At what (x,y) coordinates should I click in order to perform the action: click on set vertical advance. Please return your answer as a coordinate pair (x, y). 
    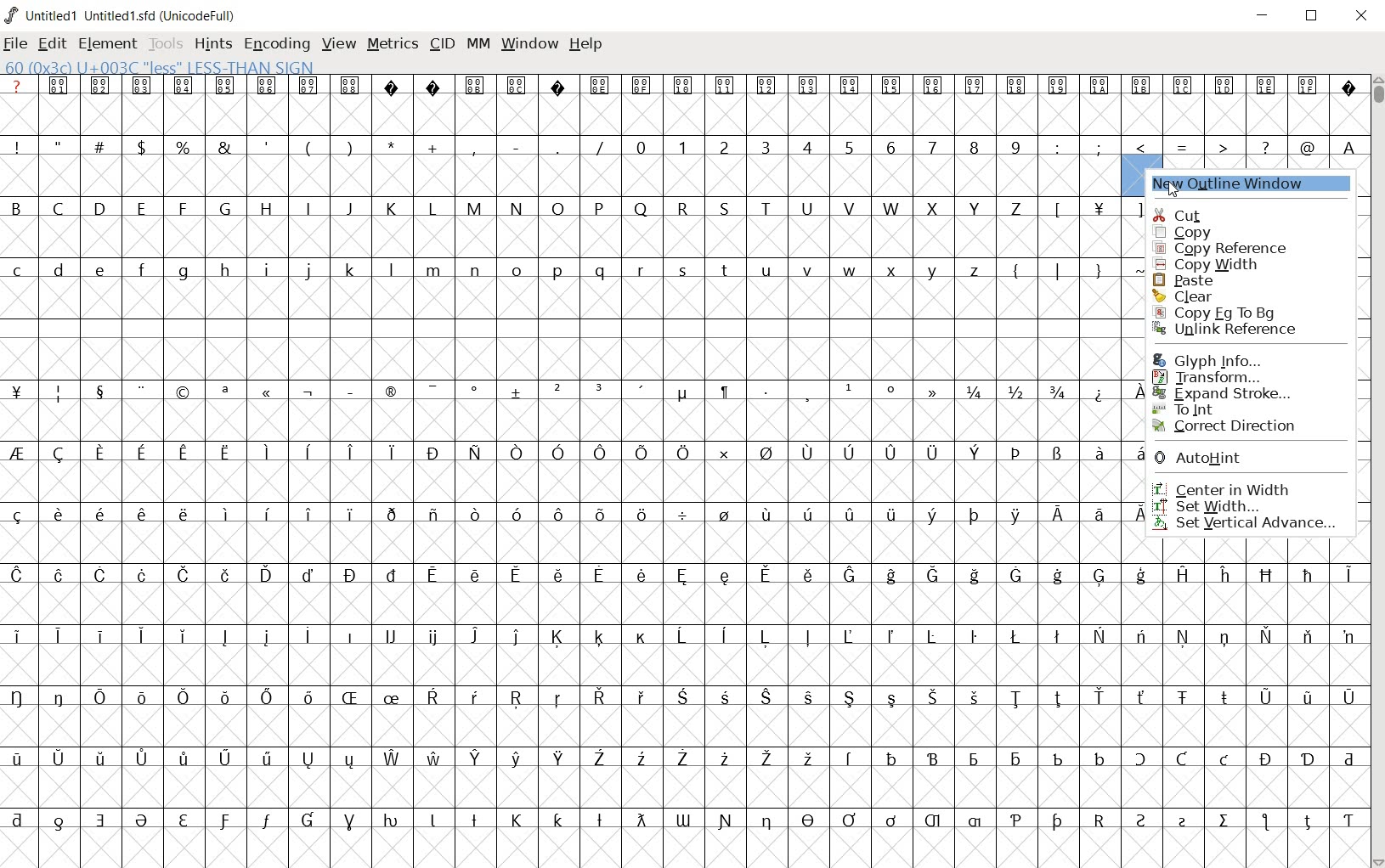
    Looking at the image, I should click on (1253, 523).